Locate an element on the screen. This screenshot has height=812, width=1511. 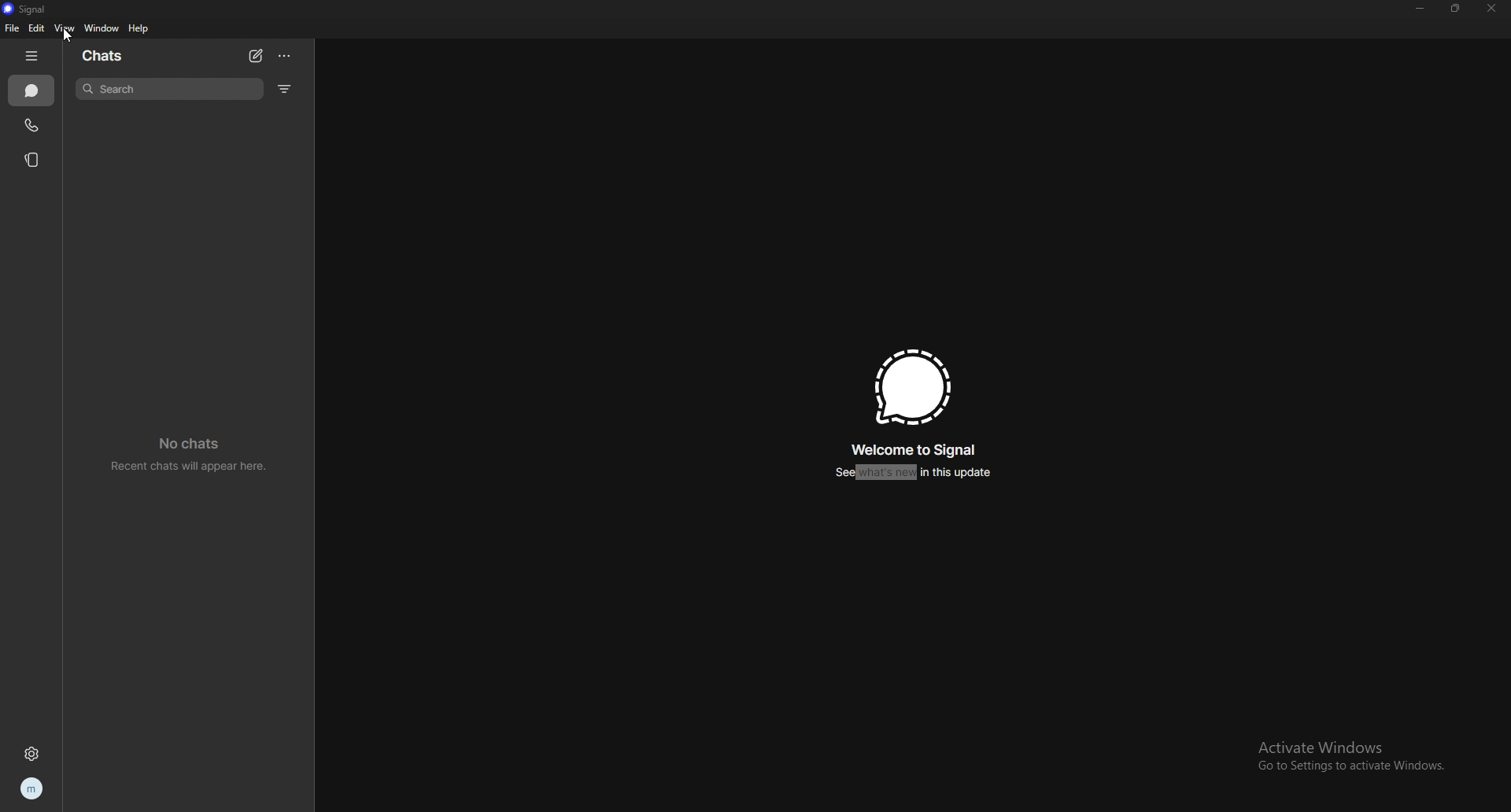
cursor is located at coordinates (69, 36).